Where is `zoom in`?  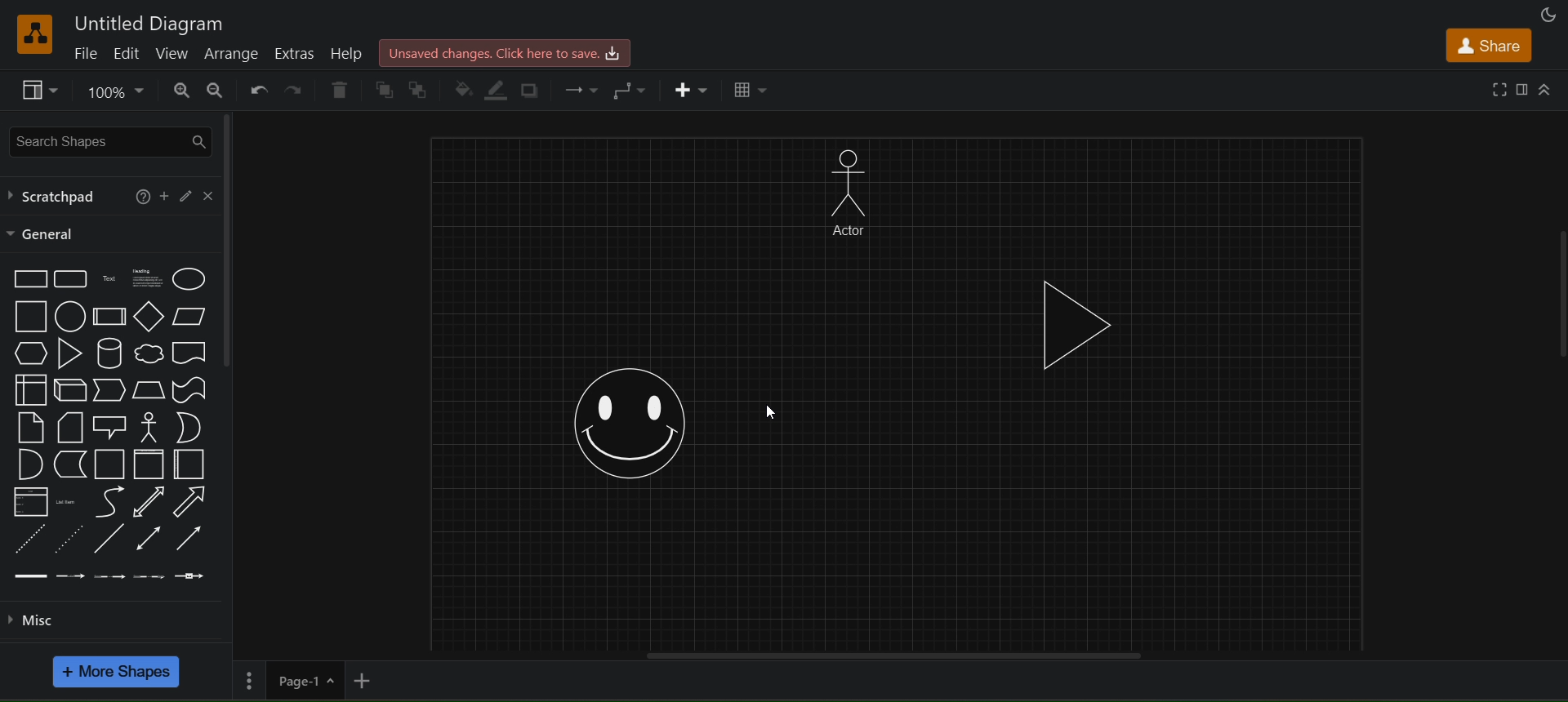 zoom in is located at coordinates (179, 91).